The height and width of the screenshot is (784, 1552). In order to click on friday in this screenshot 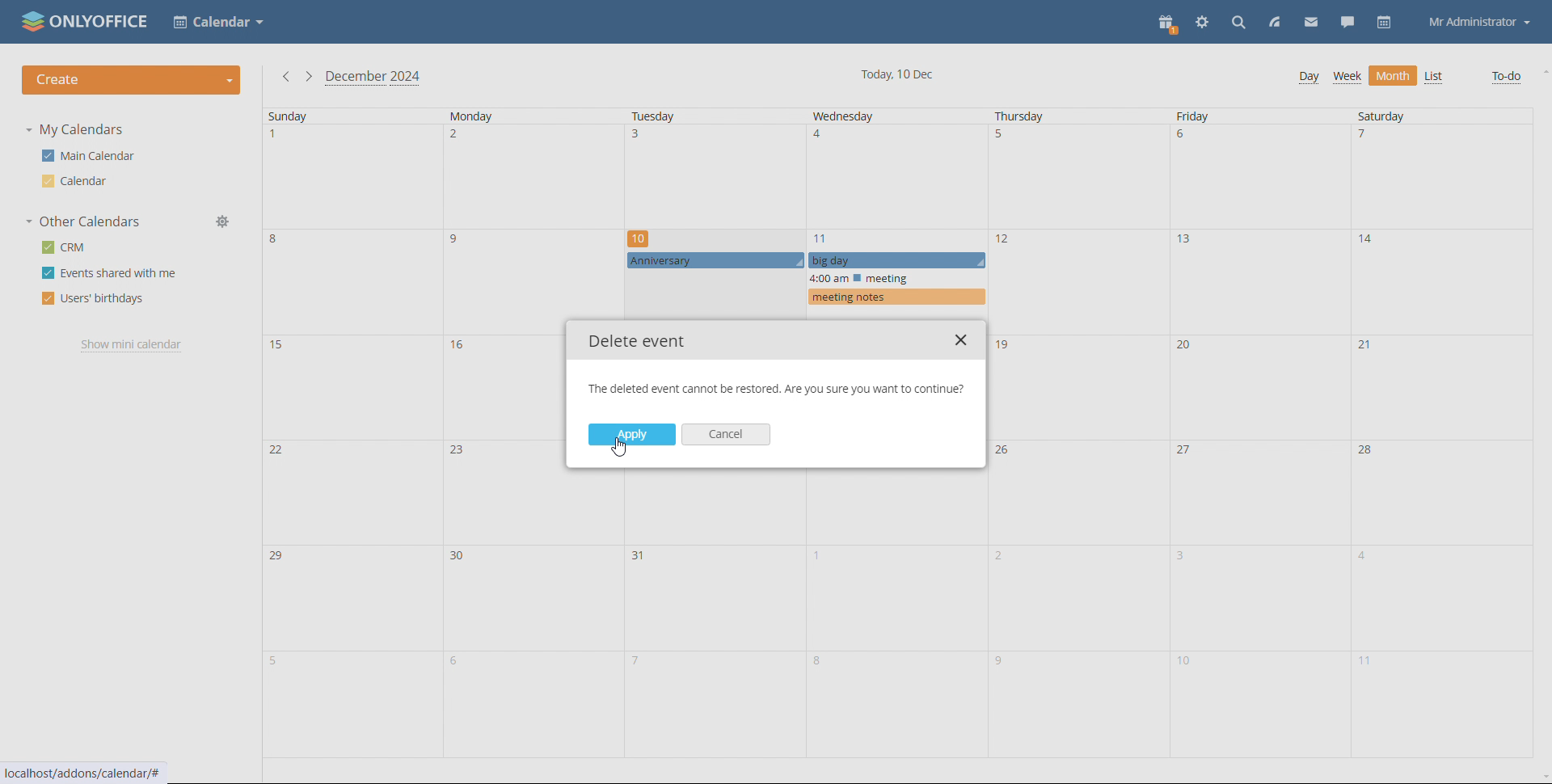, I will do `click(1259, 434)`.